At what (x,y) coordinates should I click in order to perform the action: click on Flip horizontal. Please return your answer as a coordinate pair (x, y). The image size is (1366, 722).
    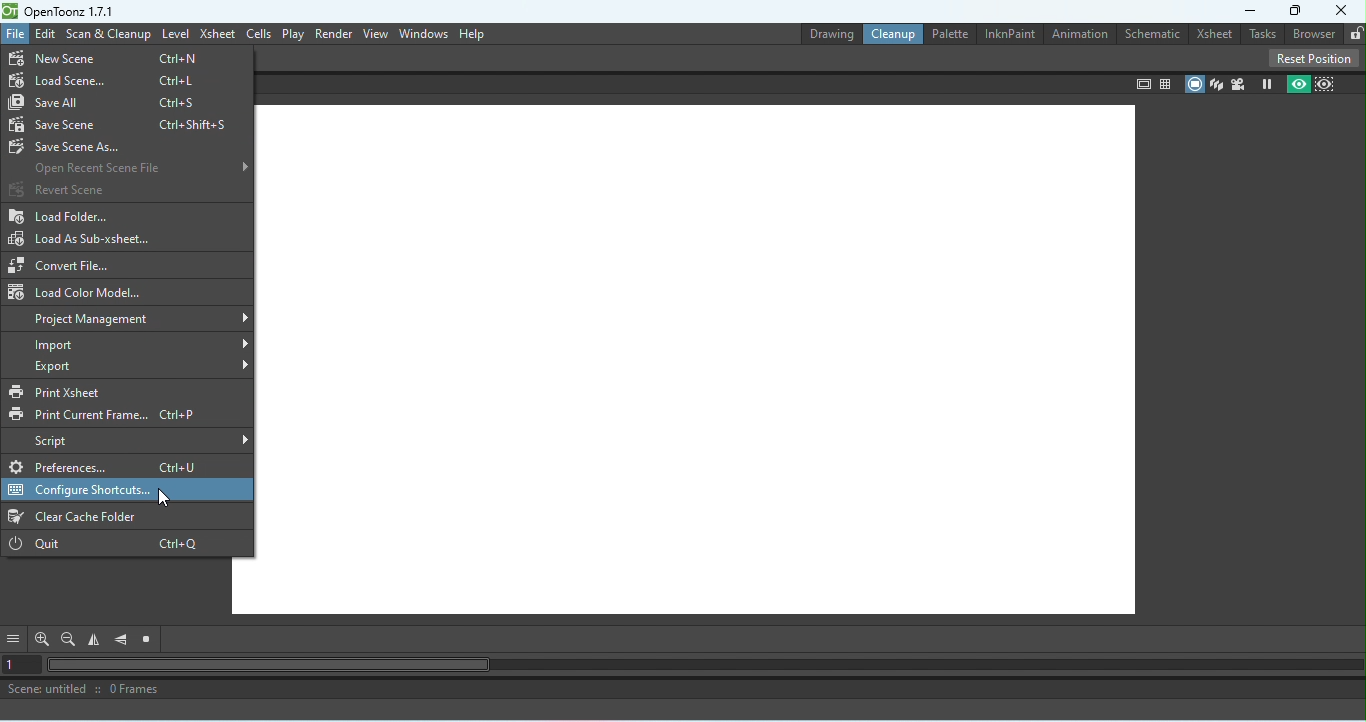
    Looking at the image, I should click on (97, 641).